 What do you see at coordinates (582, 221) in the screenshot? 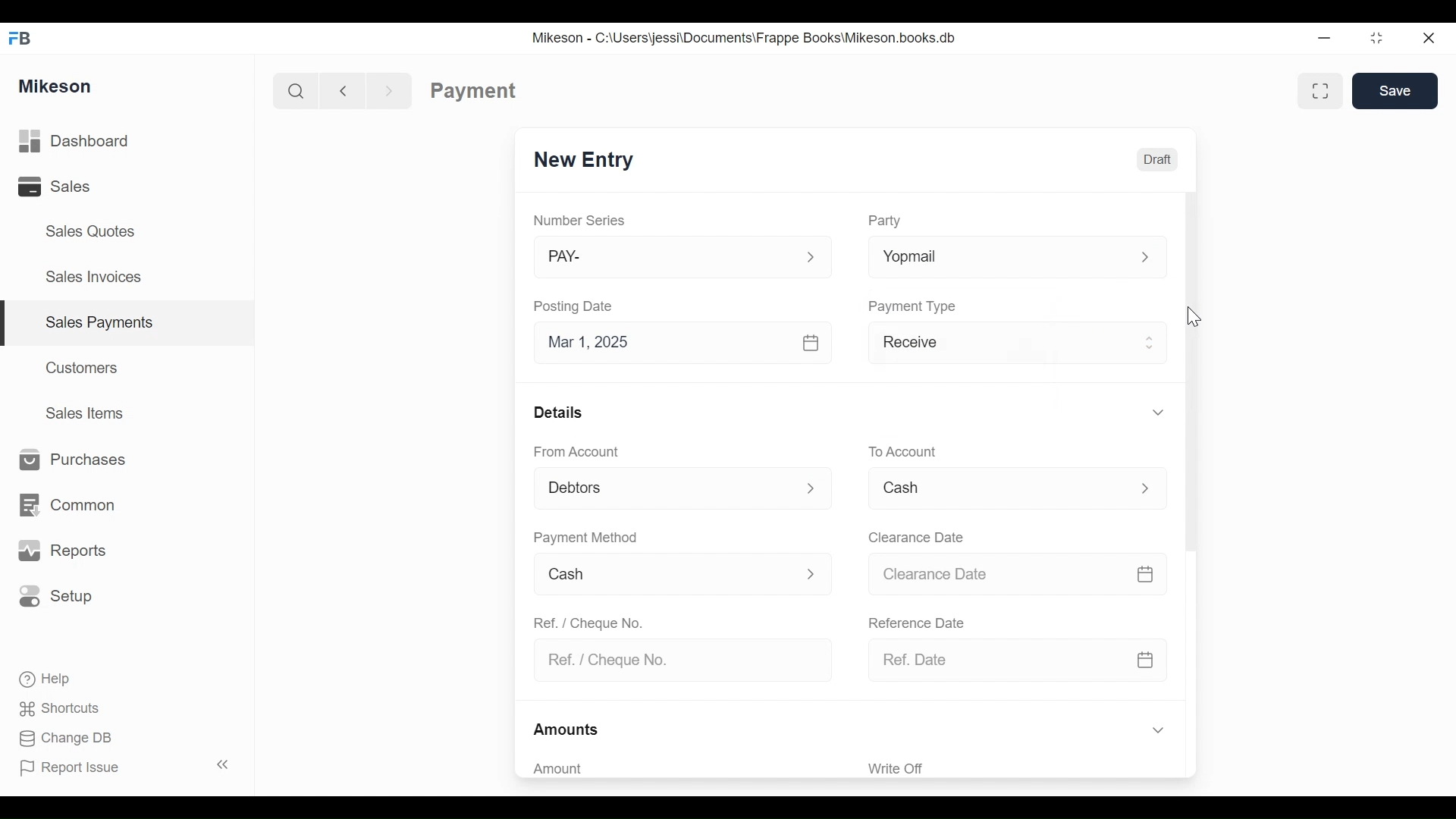
I see `Number Series` at bounding box center [582, 221].